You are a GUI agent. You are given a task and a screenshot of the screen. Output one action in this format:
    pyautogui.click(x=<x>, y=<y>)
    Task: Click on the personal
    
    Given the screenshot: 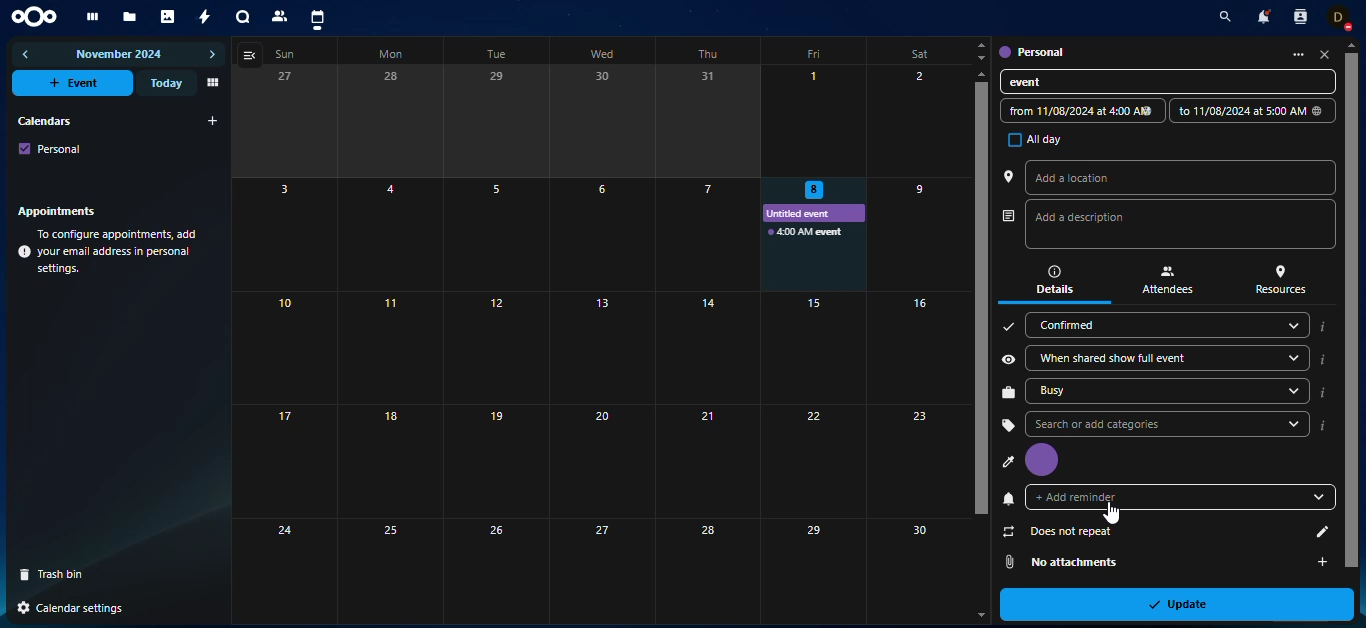 What is the action you would take?
    pyautogui.click(x=51, y=148)
    